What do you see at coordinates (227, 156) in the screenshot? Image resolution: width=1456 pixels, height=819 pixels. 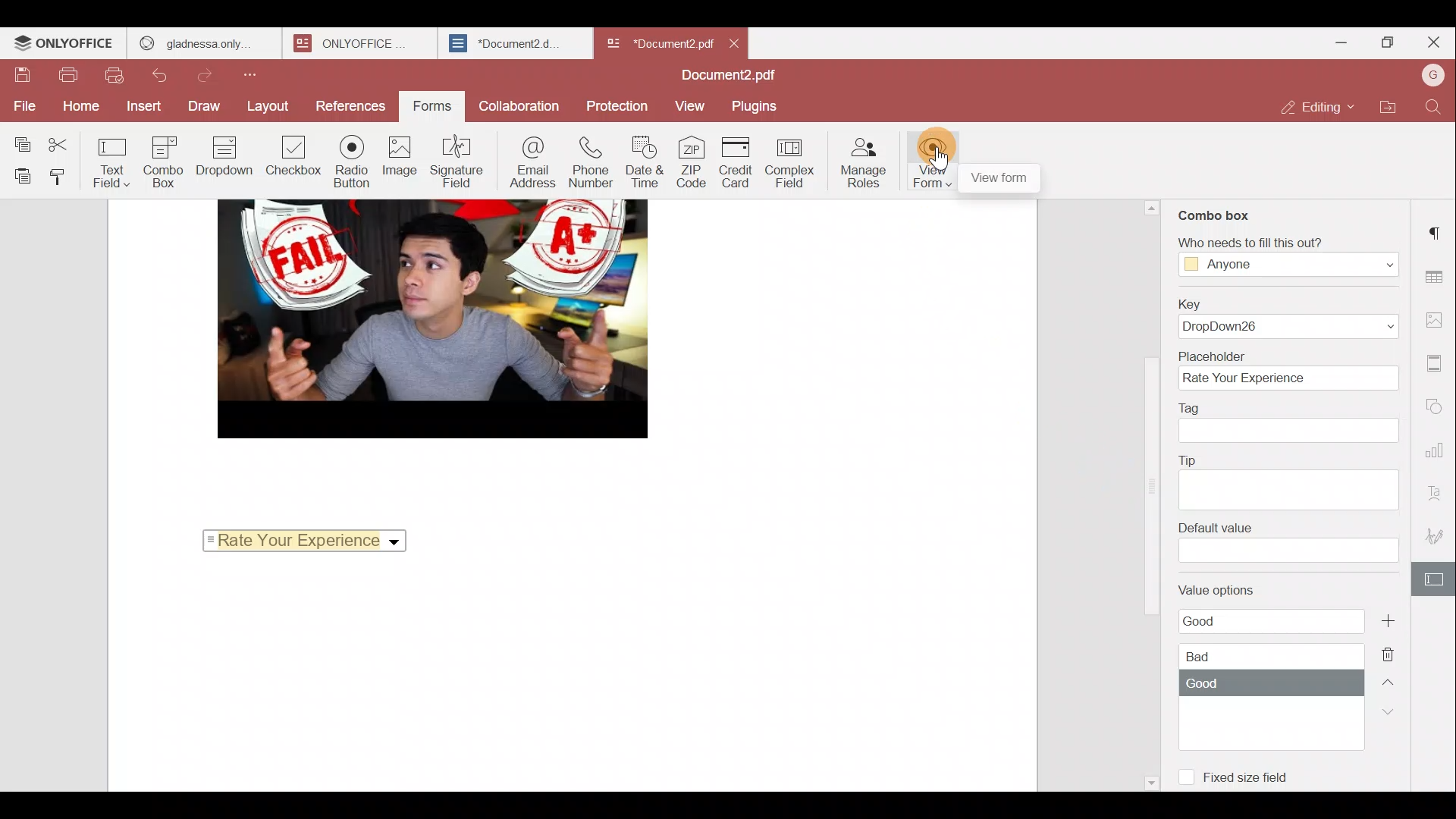 I see `Dropdown` at bounding box center [227, 156].